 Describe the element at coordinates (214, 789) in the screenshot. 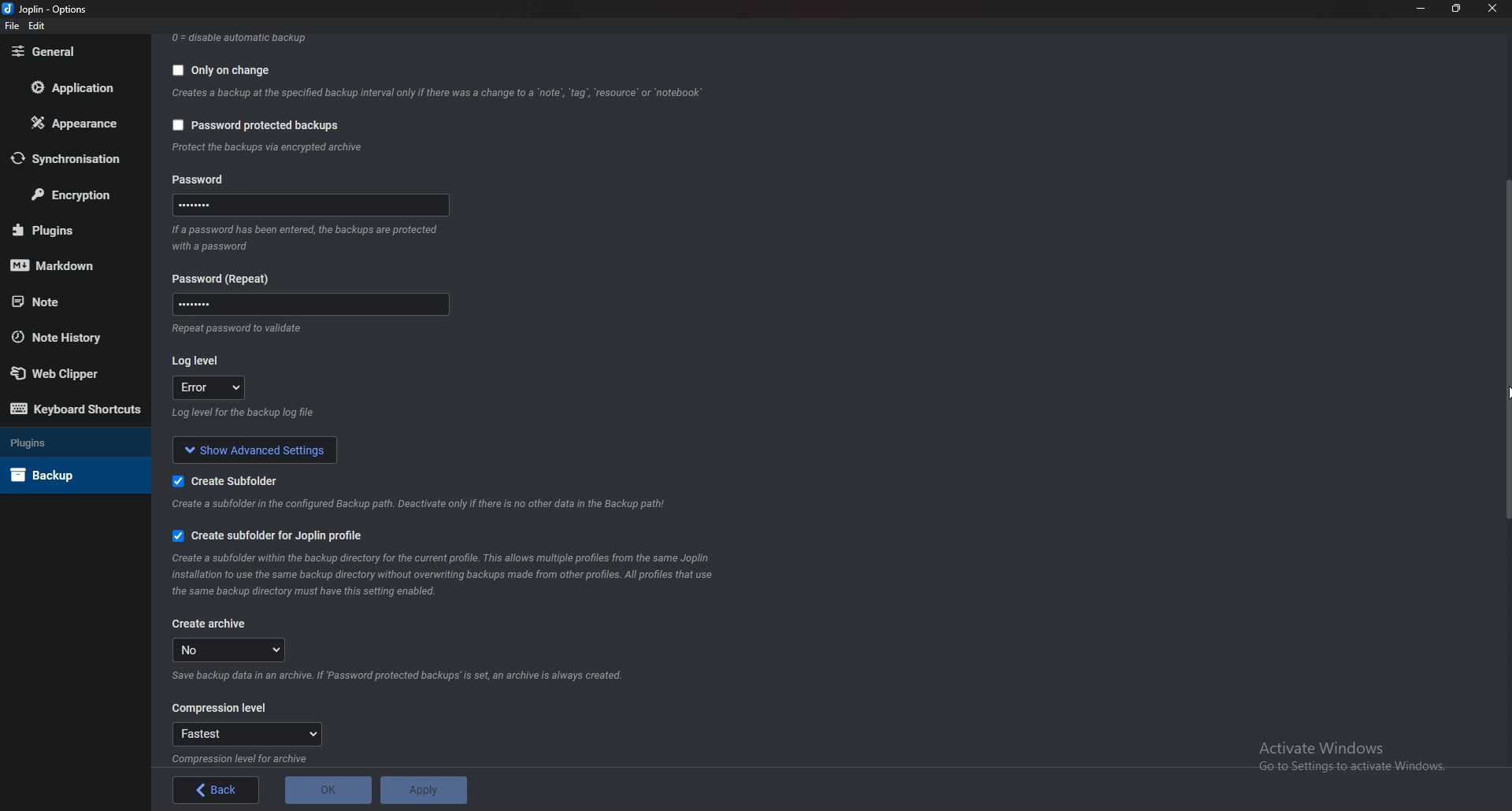

I see `back` at that location.